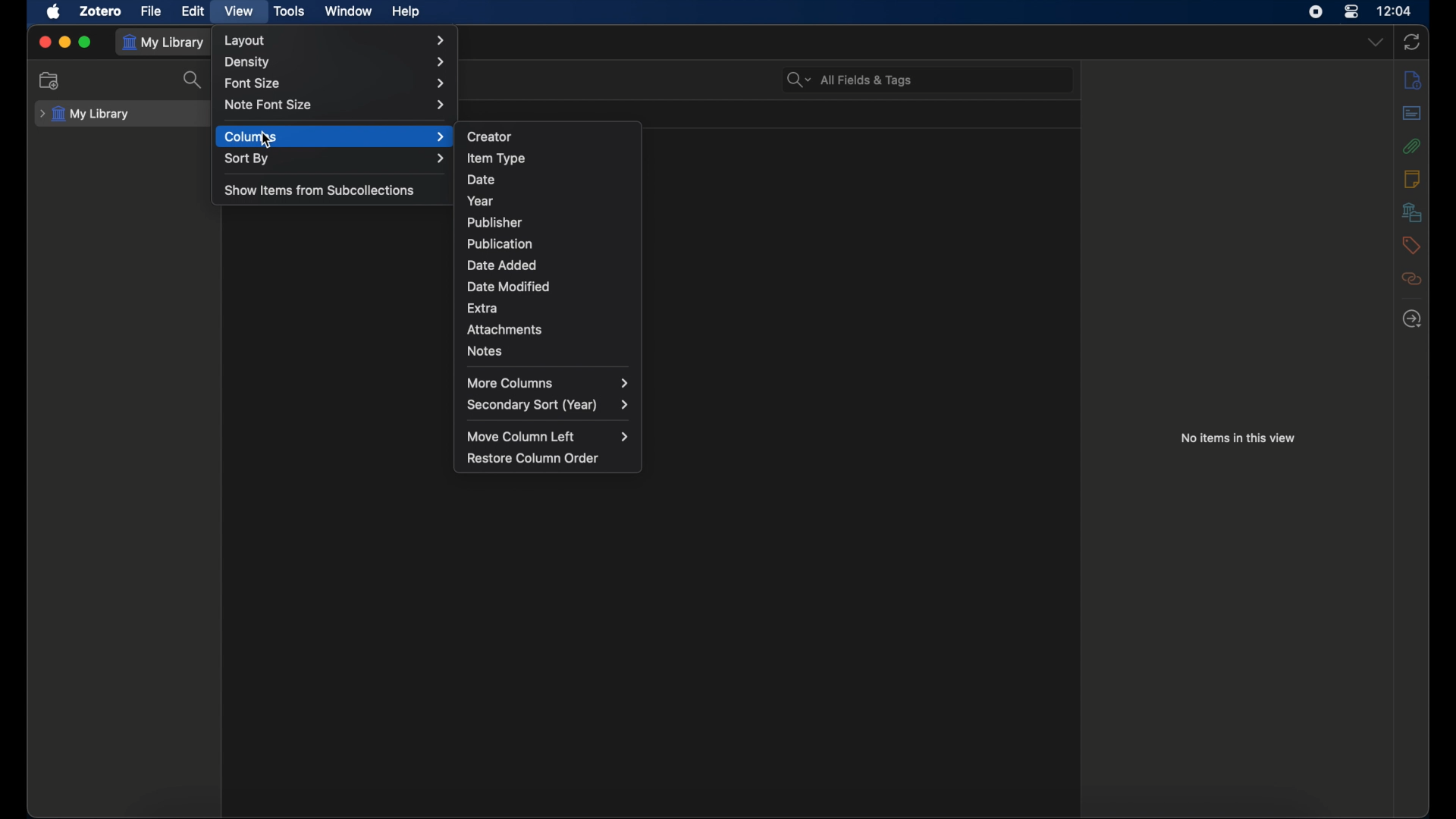  What do you see at coordinates (488, 135) in the screenshot?
I see `creator` at bounding box center [488, 135].